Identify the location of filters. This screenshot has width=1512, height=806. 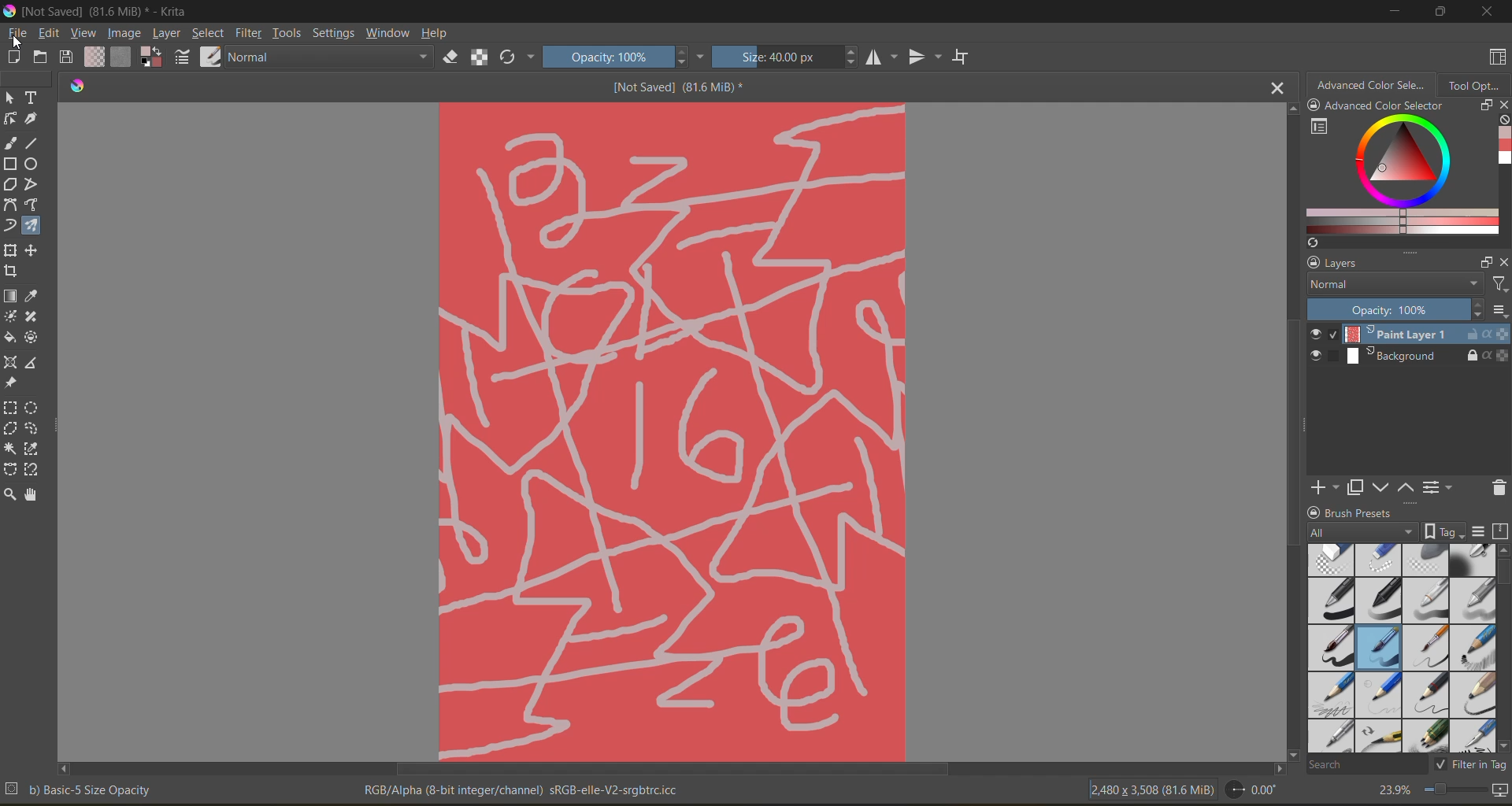
(1499, 285).